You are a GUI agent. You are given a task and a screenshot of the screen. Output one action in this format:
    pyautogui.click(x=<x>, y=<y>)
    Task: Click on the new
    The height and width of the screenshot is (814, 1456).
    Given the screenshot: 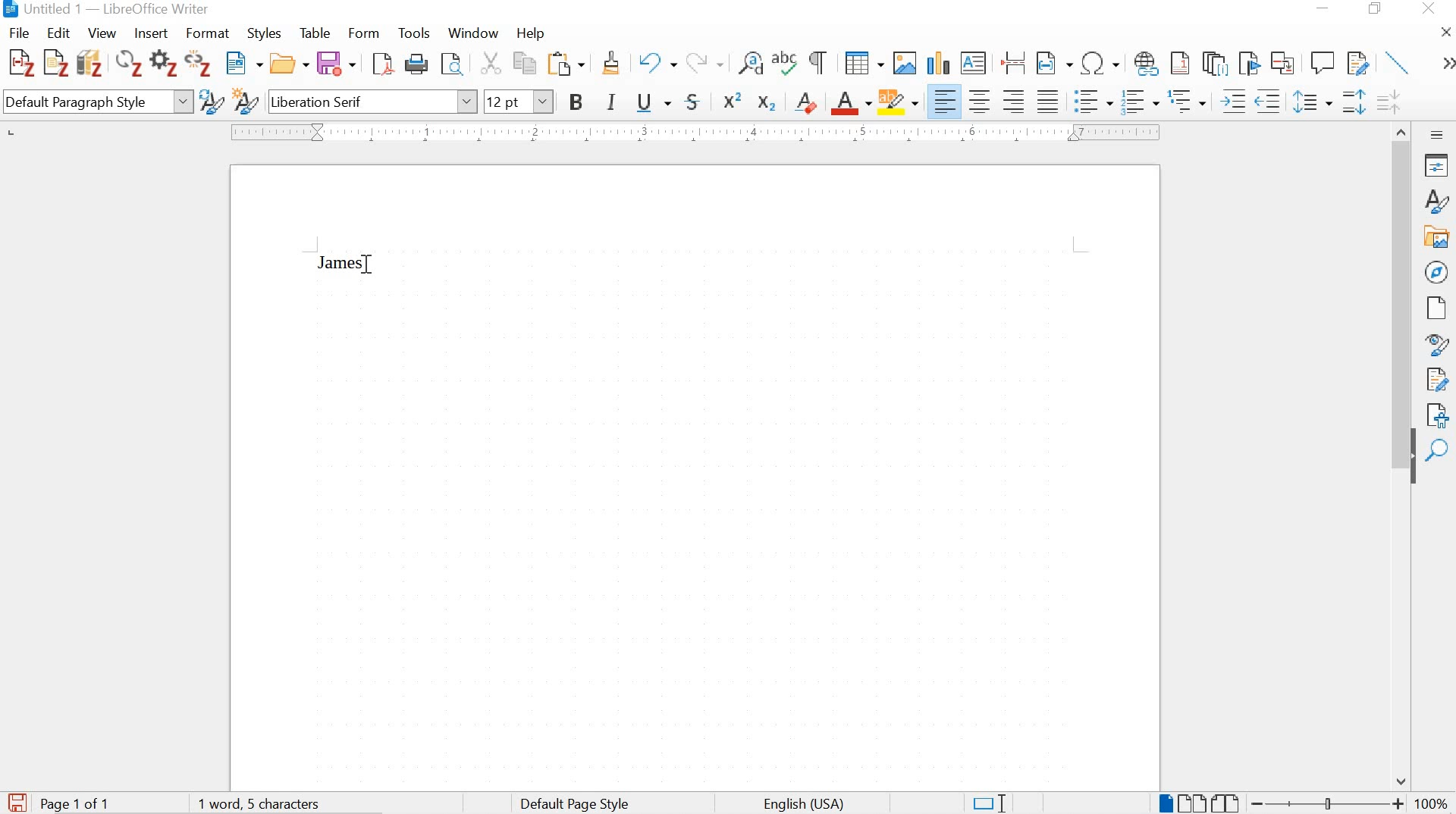 What is the action you would take?
    pyautogui.click(x=245, y=64)
    